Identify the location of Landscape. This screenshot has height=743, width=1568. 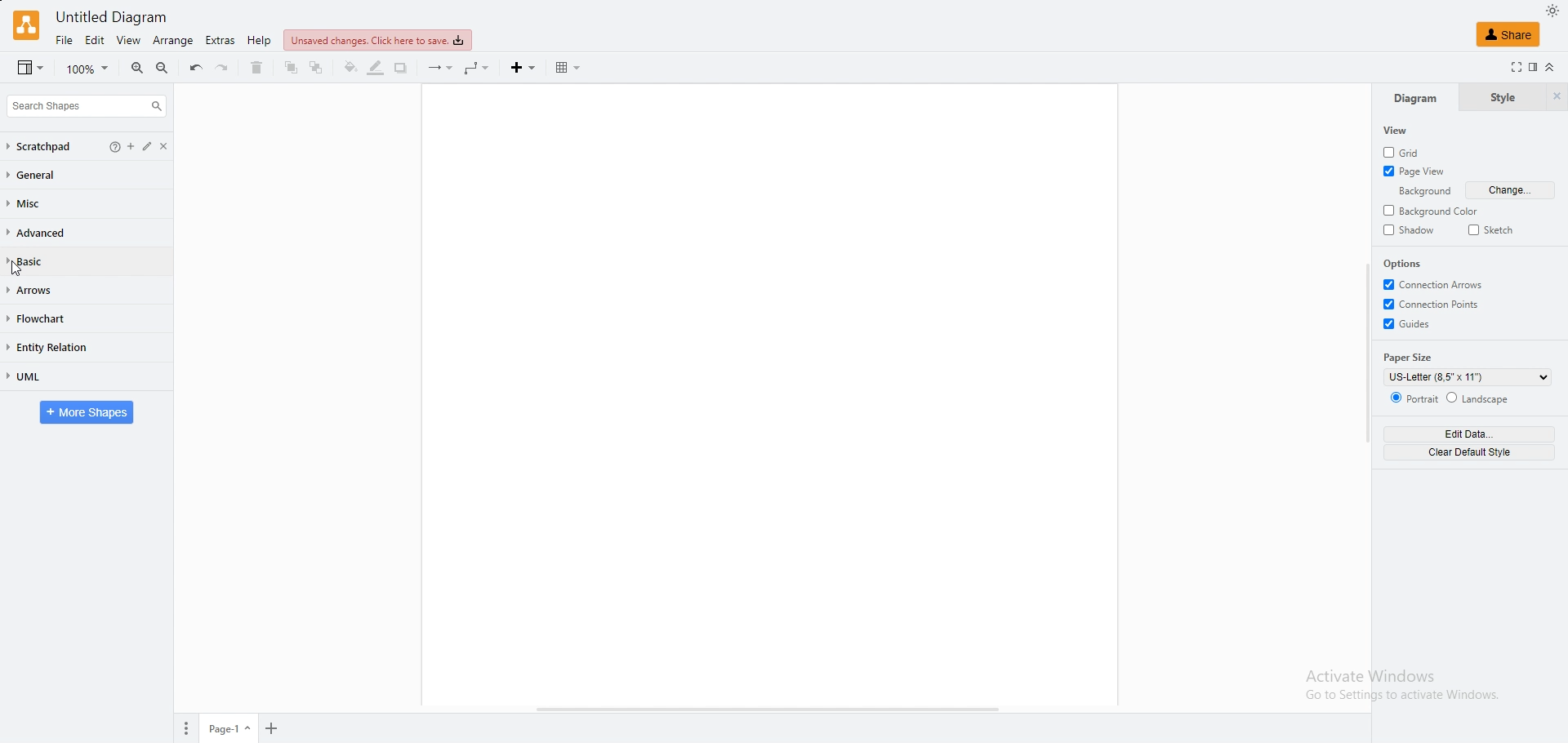
(1478, 398).